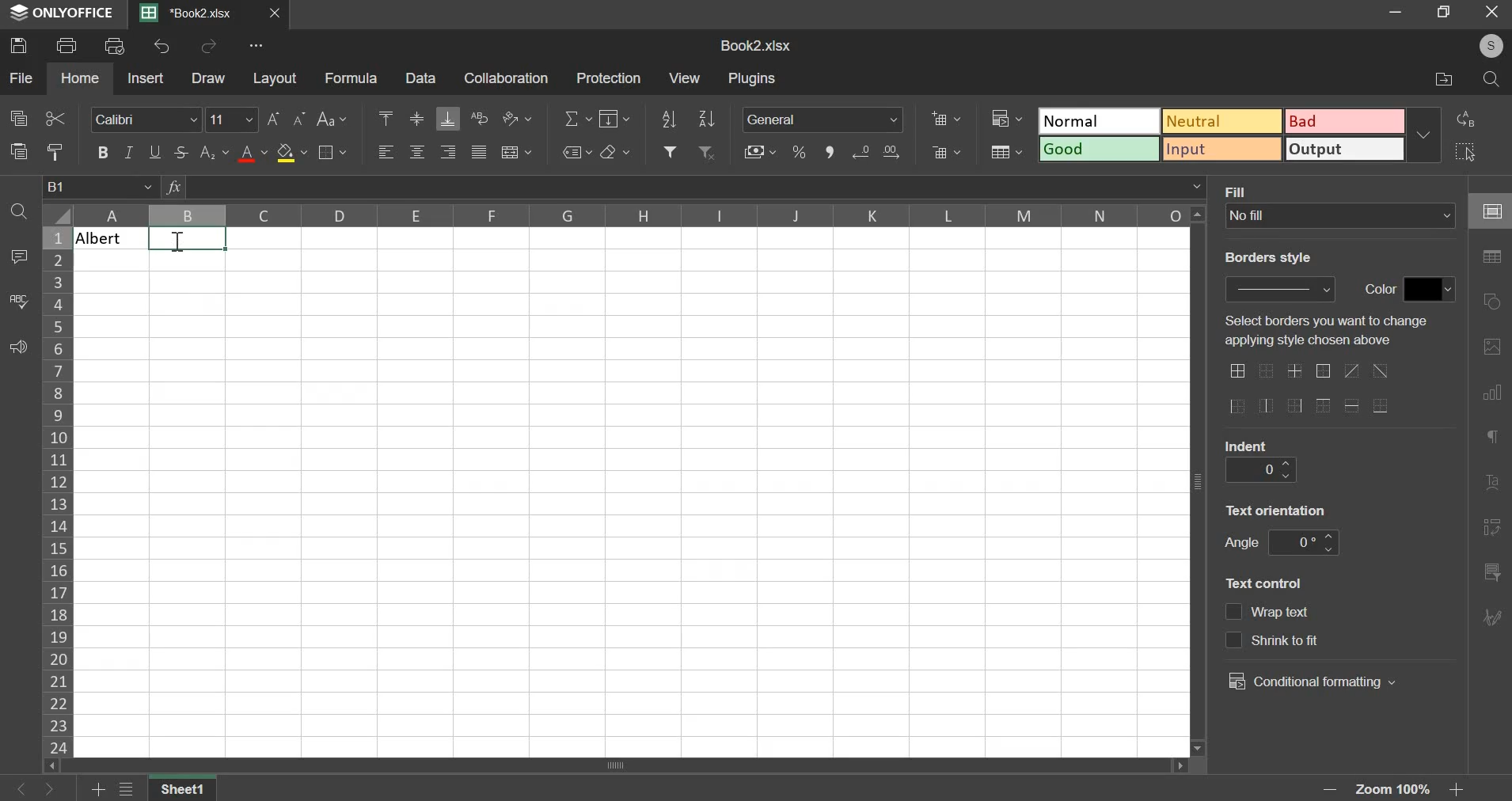 The image size is (1512, 801). I want to click on home, so click(81, 79).